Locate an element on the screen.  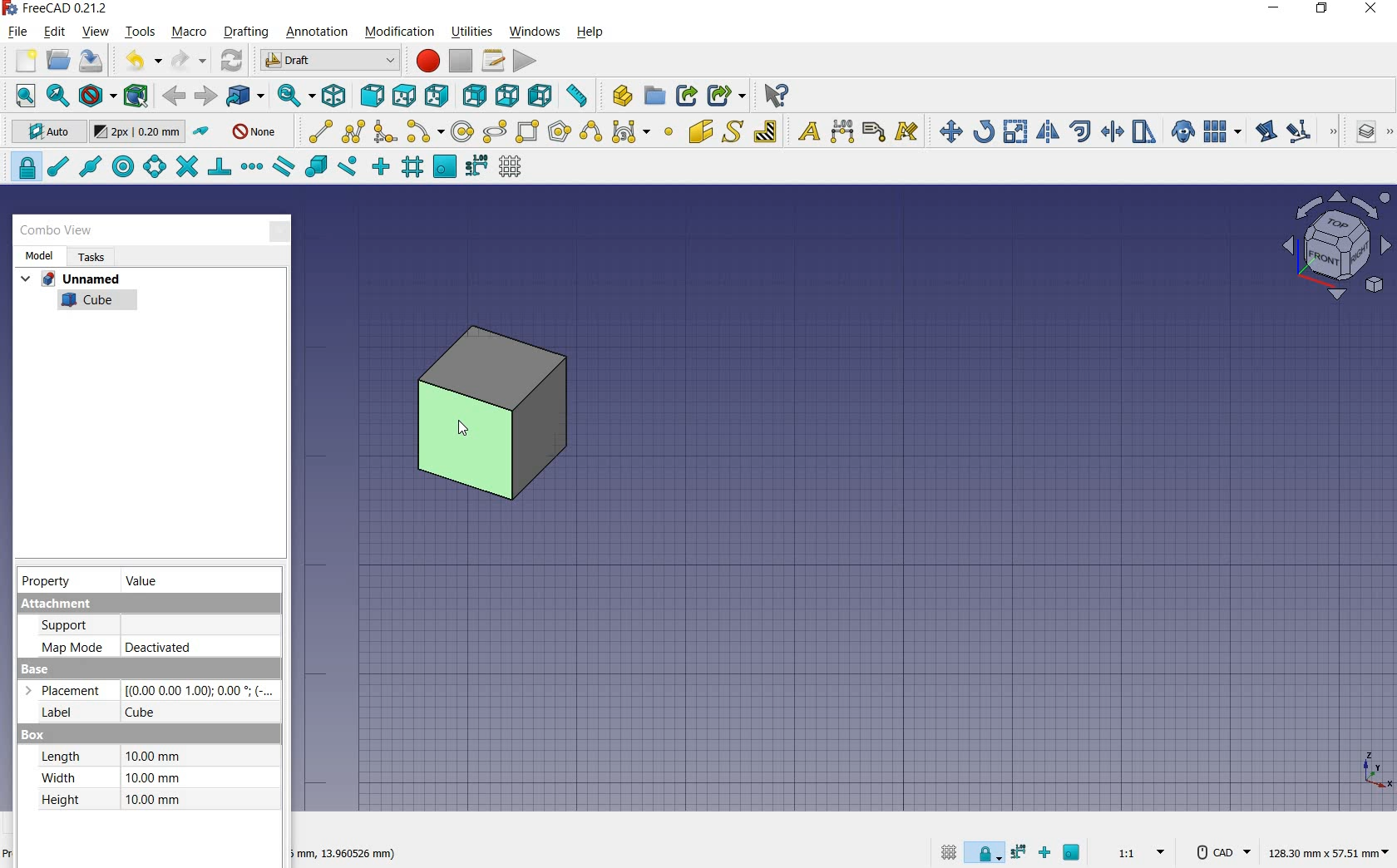
 is located at coordinates (199, 690).